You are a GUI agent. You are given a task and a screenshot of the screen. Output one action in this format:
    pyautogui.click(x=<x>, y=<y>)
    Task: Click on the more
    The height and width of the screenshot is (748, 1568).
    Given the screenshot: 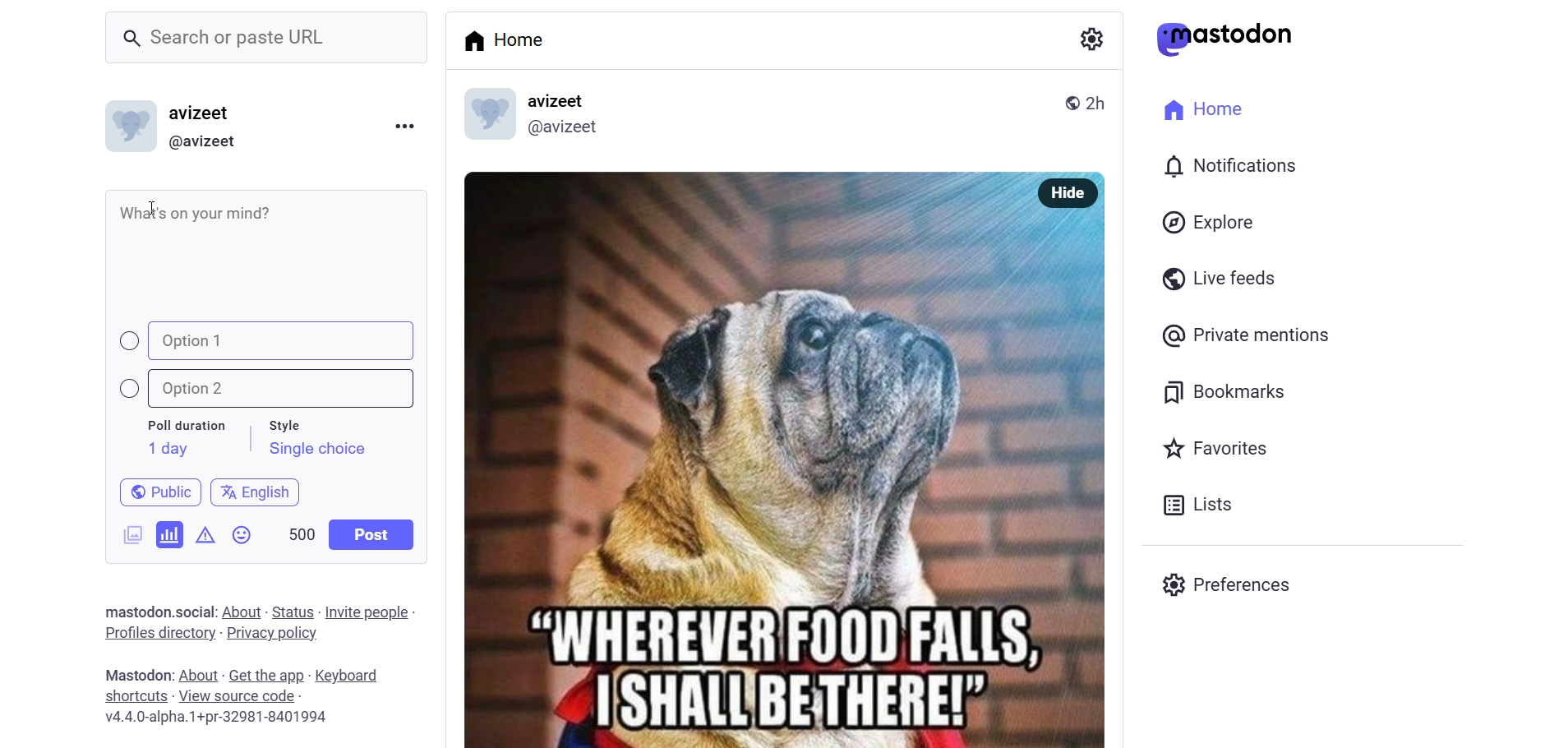 What is the action you would take?
    pyautogui.click(x=404, y=124)
    